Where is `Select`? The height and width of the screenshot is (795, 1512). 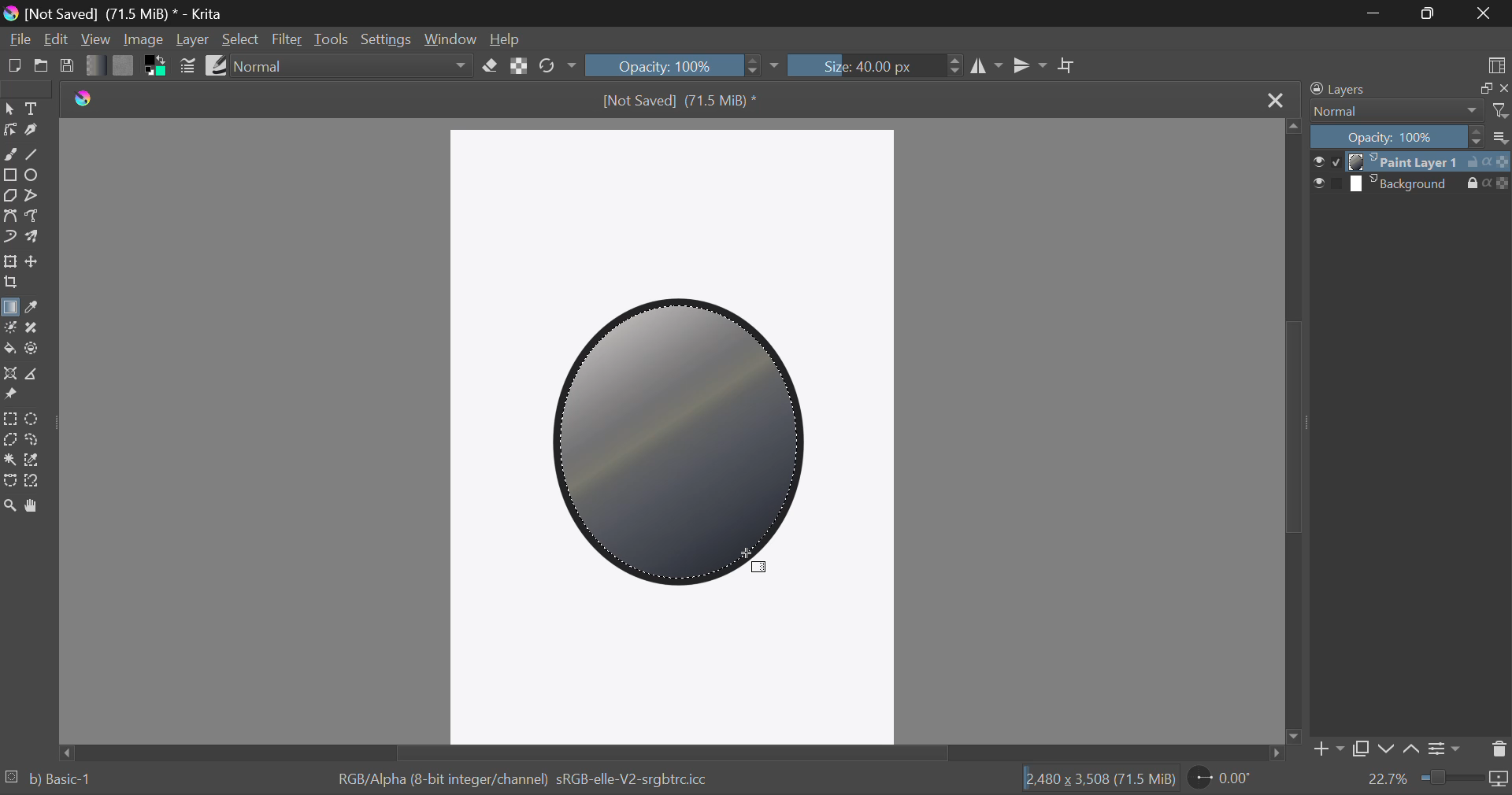 Select is located at coordinates (10, 109).